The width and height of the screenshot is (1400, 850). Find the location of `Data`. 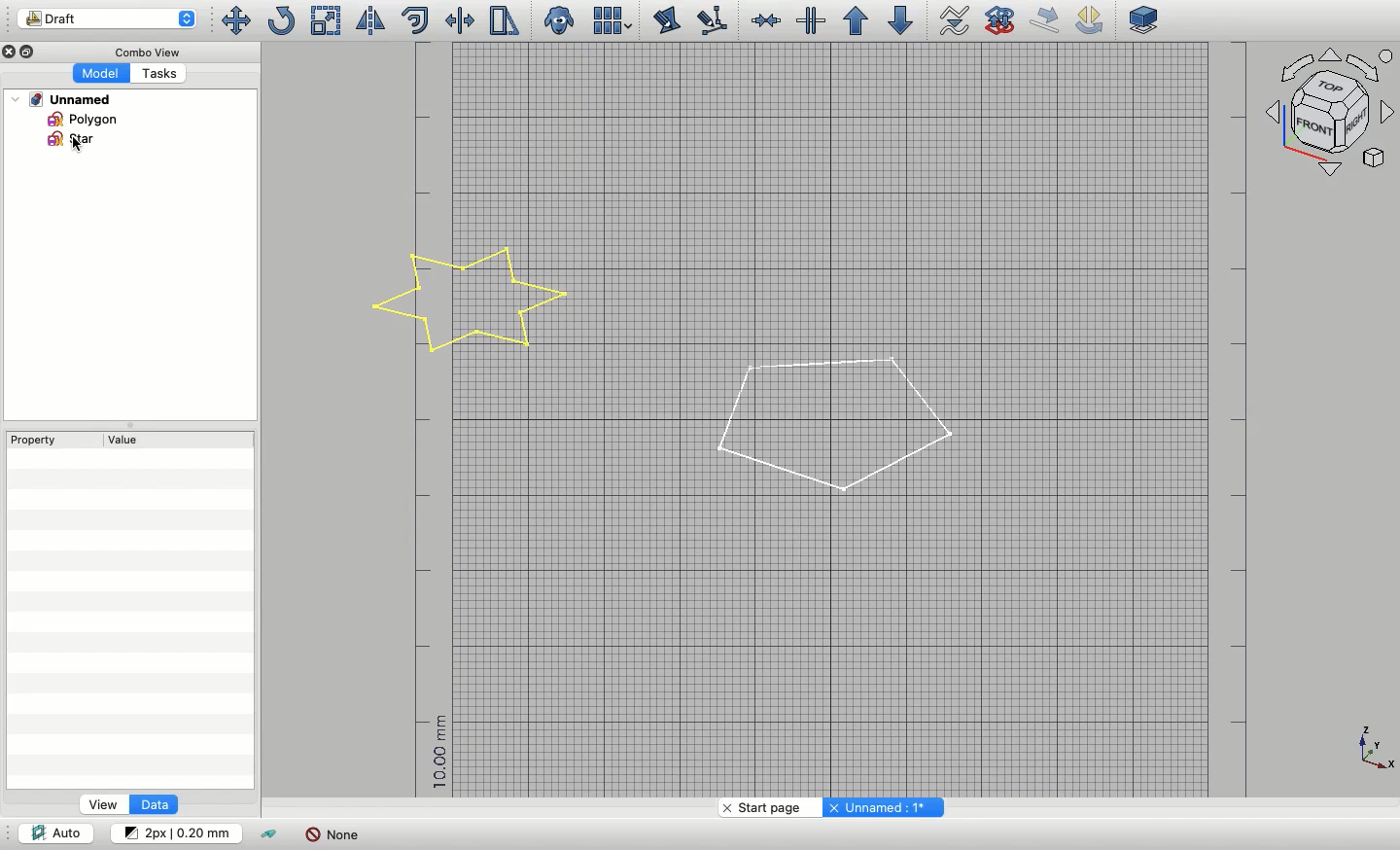

Data is located at coordinates (153, 804).